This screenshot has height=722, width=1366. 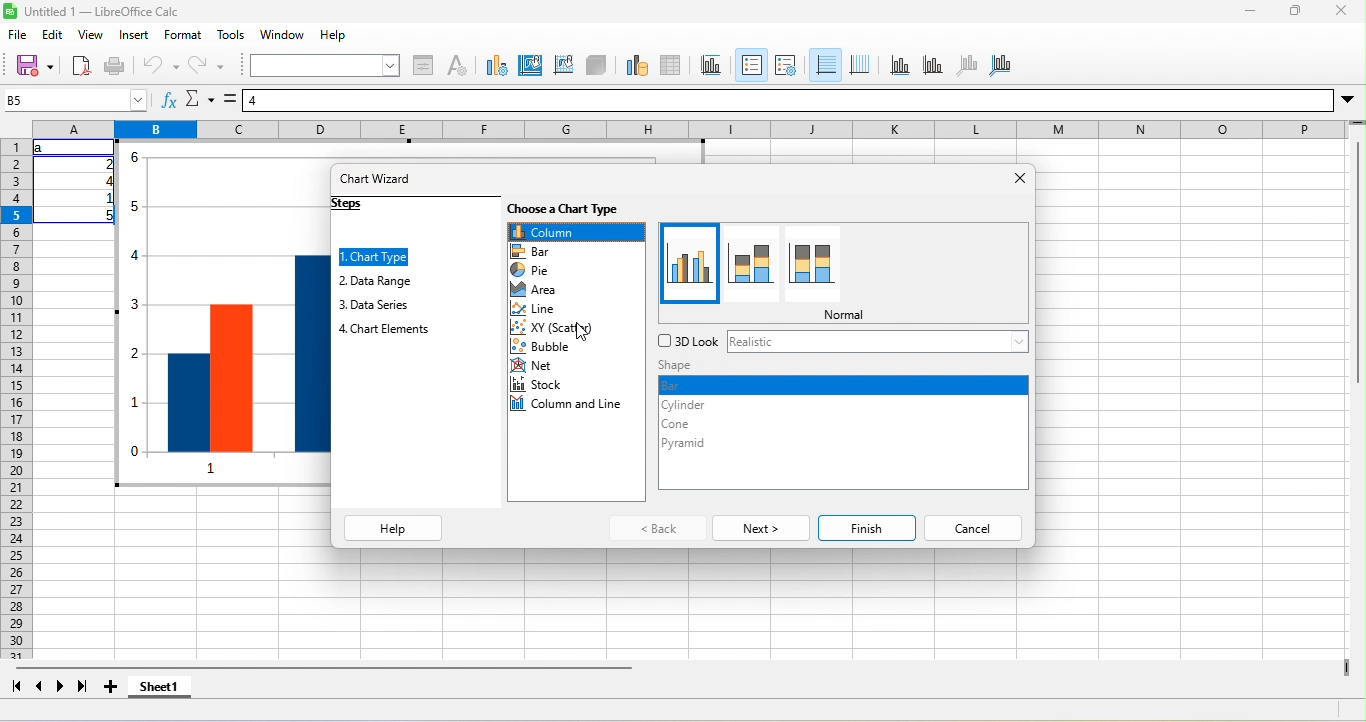 What do you see at coordinates (160, 686) in the screenshot?
I see `sheet1` at bounding box center [160, 686].